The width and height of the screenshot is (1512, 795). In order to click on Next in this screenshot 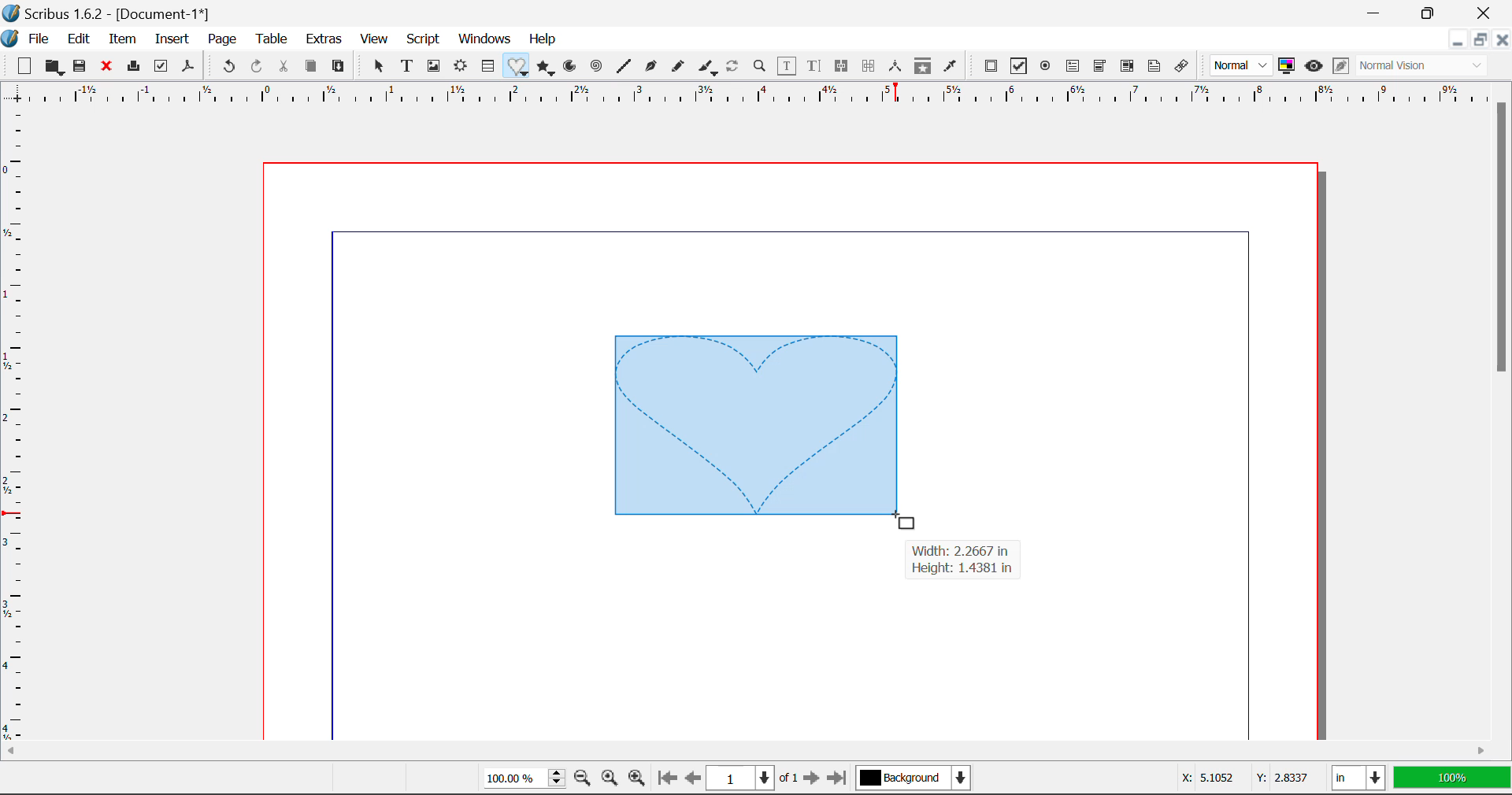, I will do `click(813, 779)`.